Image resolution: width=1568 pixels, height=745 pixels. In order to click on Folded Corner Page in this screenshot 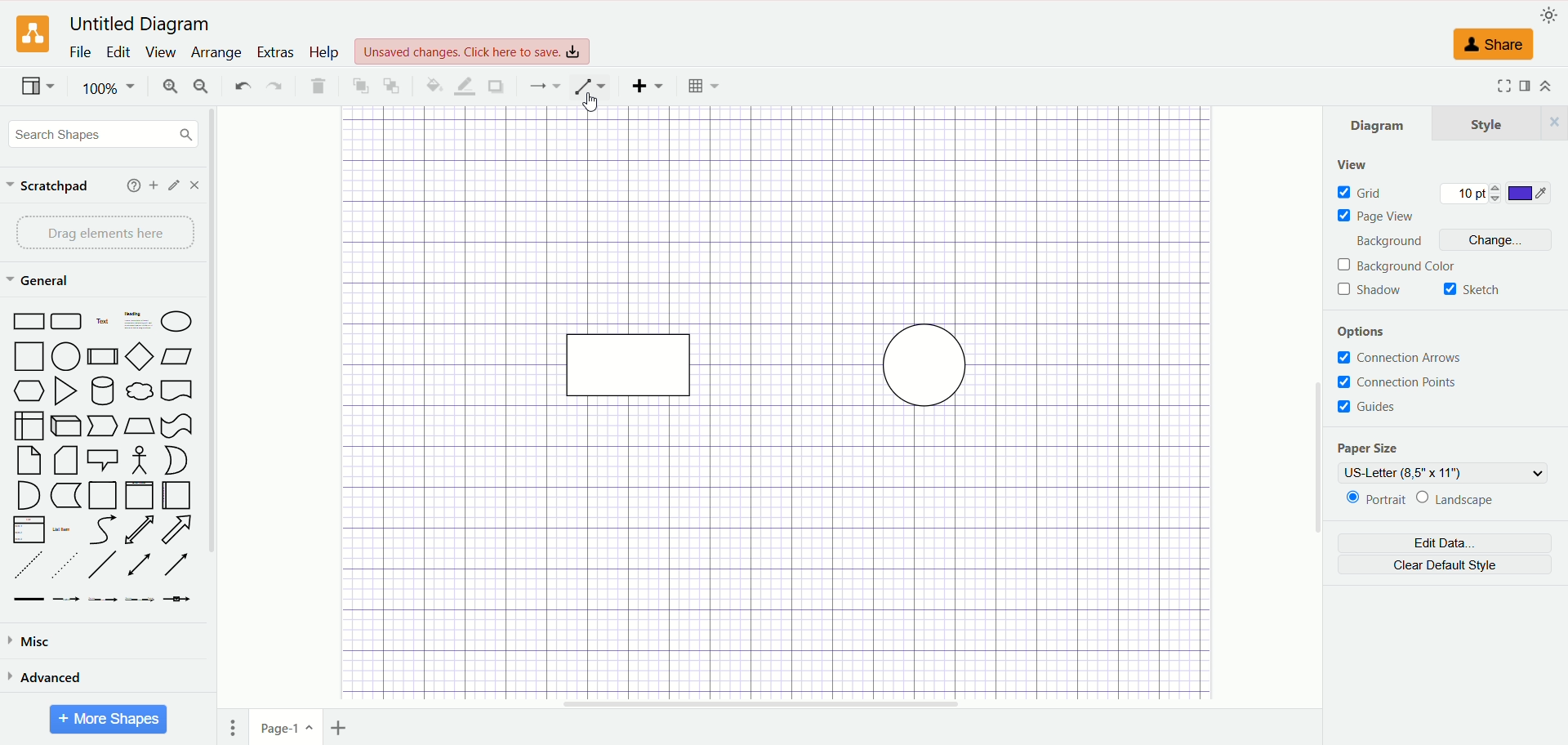, I will do `click(65, 460)`.